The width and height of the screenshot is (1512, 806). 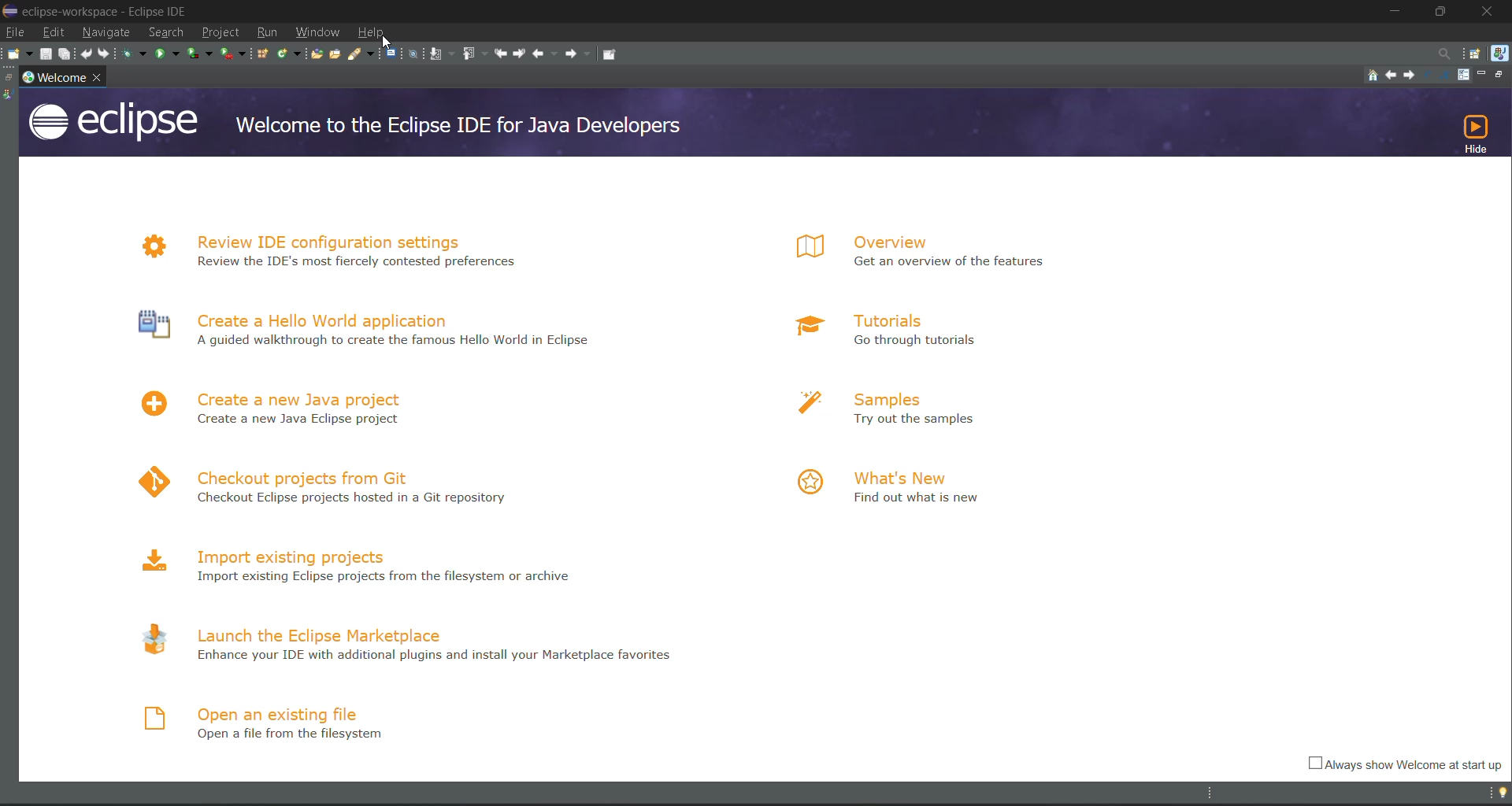 What do you see at coordinates (57, 33) in the screenshot?
I see `edit` at bounding box center [57, 33].